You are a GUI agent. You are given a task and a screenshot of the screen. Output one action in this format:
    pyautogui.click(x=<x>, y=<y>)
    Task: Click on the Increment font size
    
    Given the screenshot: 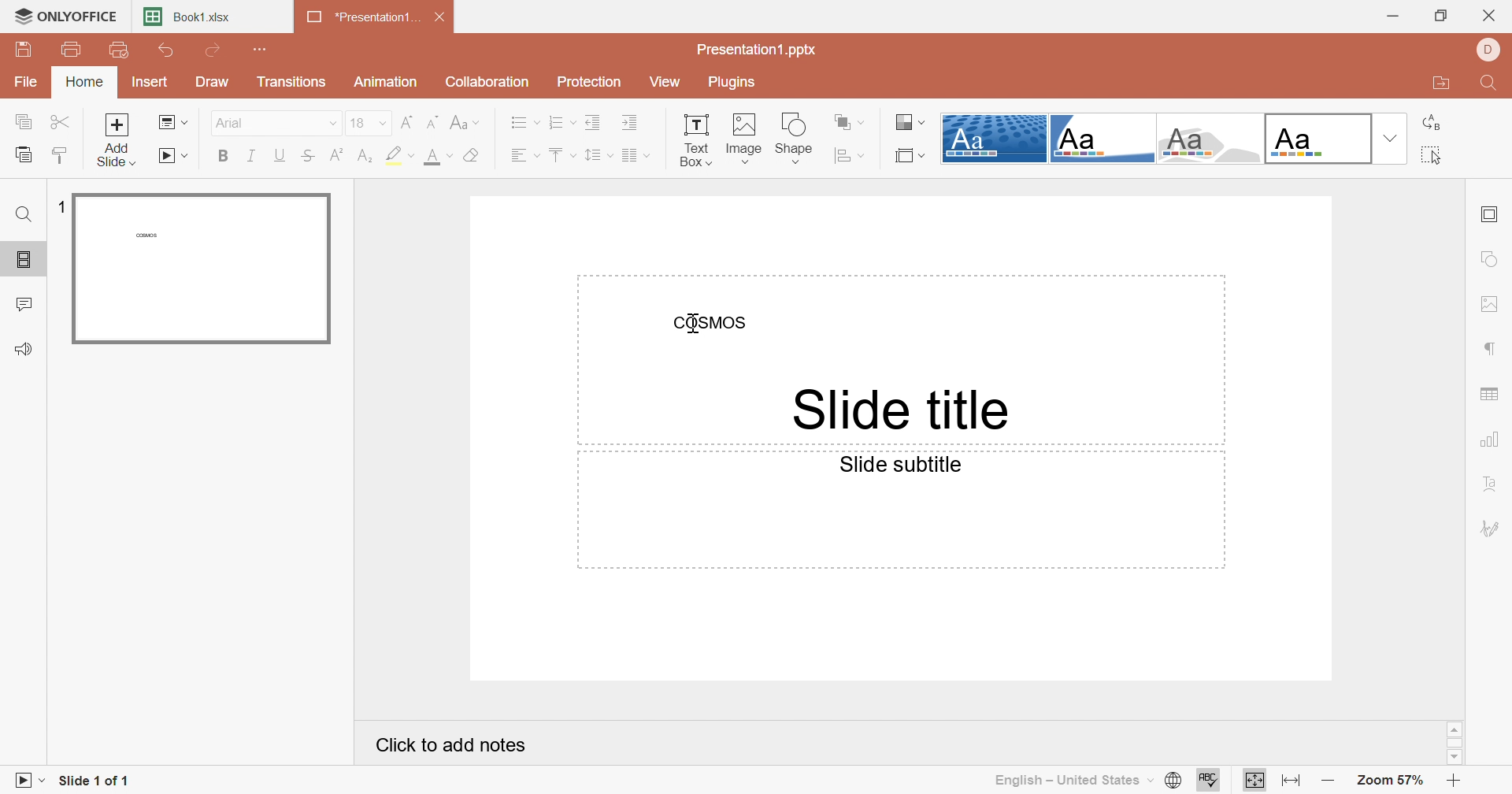 What is the action you would take?
    pyautogui.click(x=409, y=123)
    